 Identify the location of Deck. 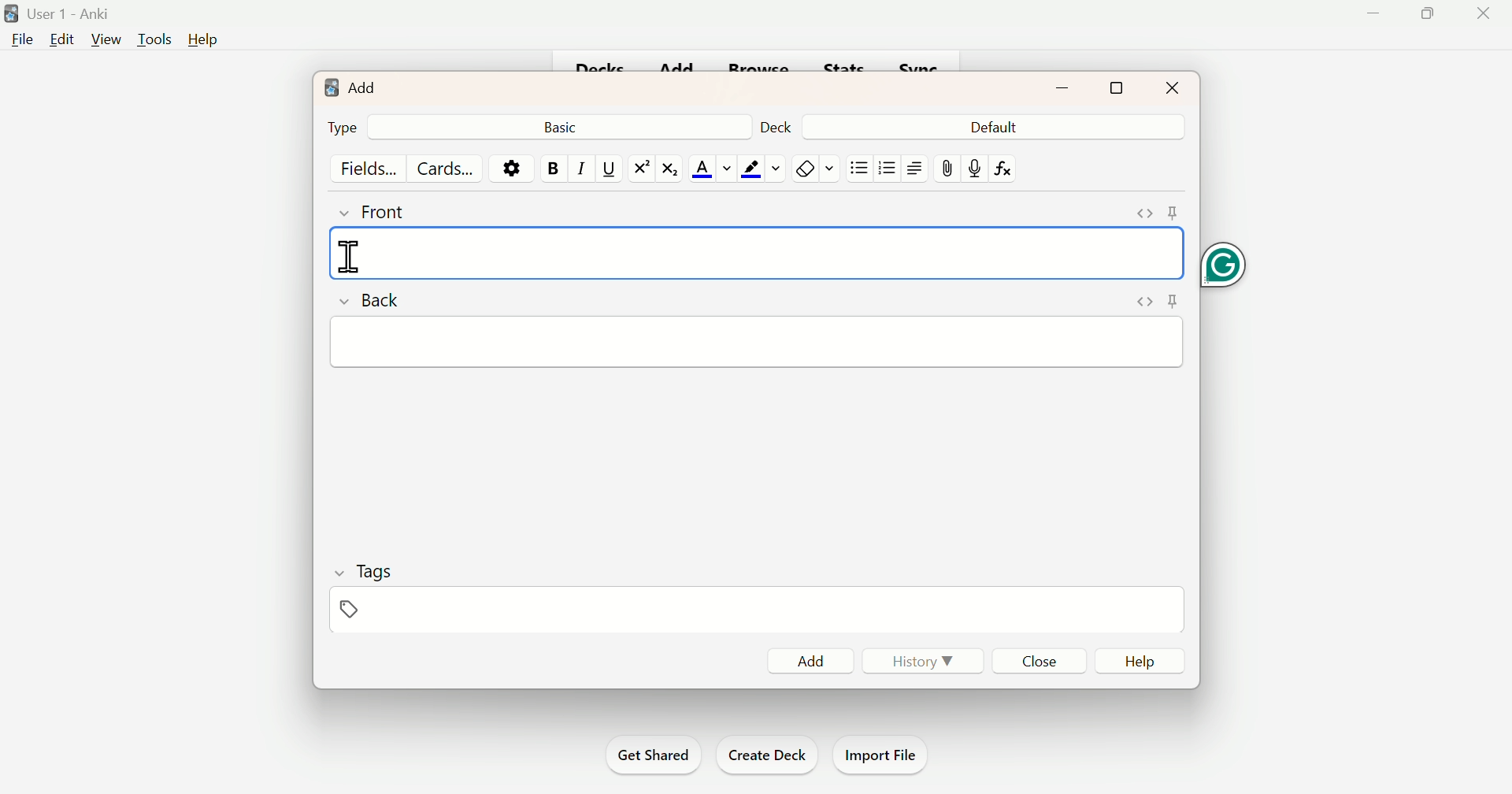
(774, 128).